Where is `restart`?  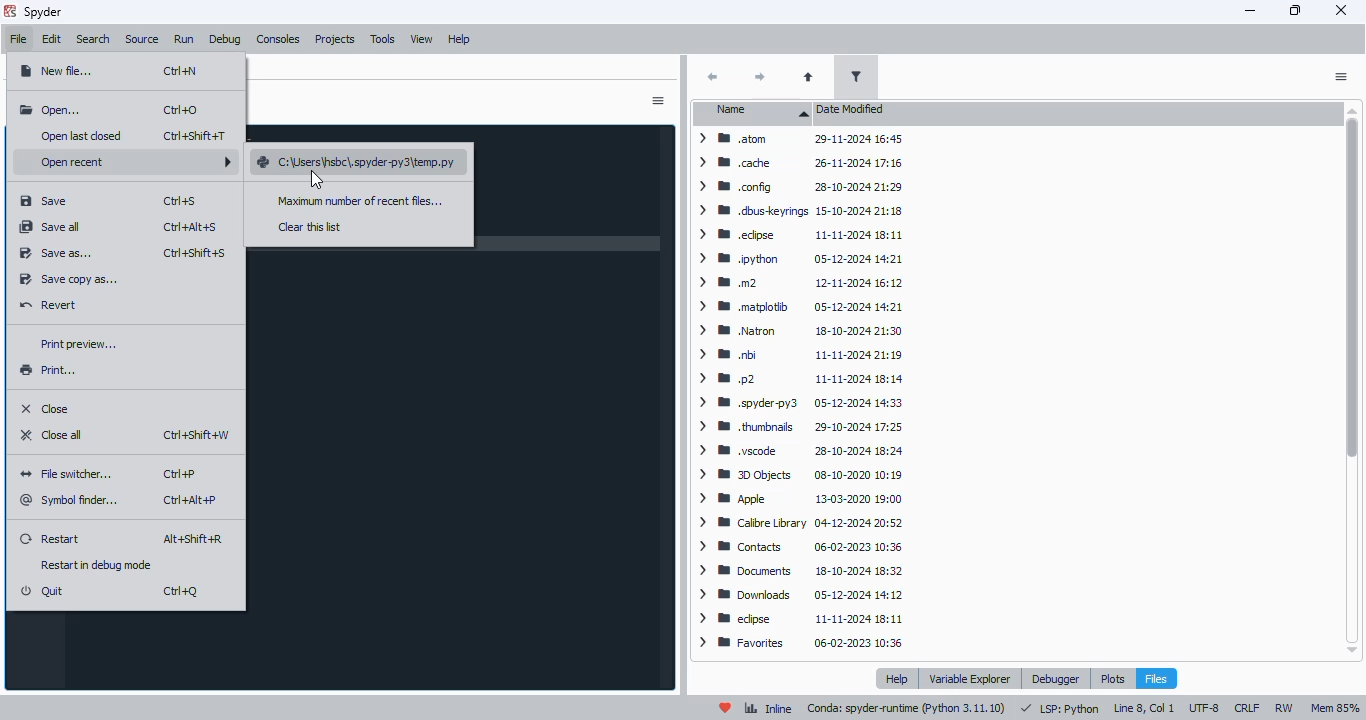
restart is located at coordinates (50, 537).